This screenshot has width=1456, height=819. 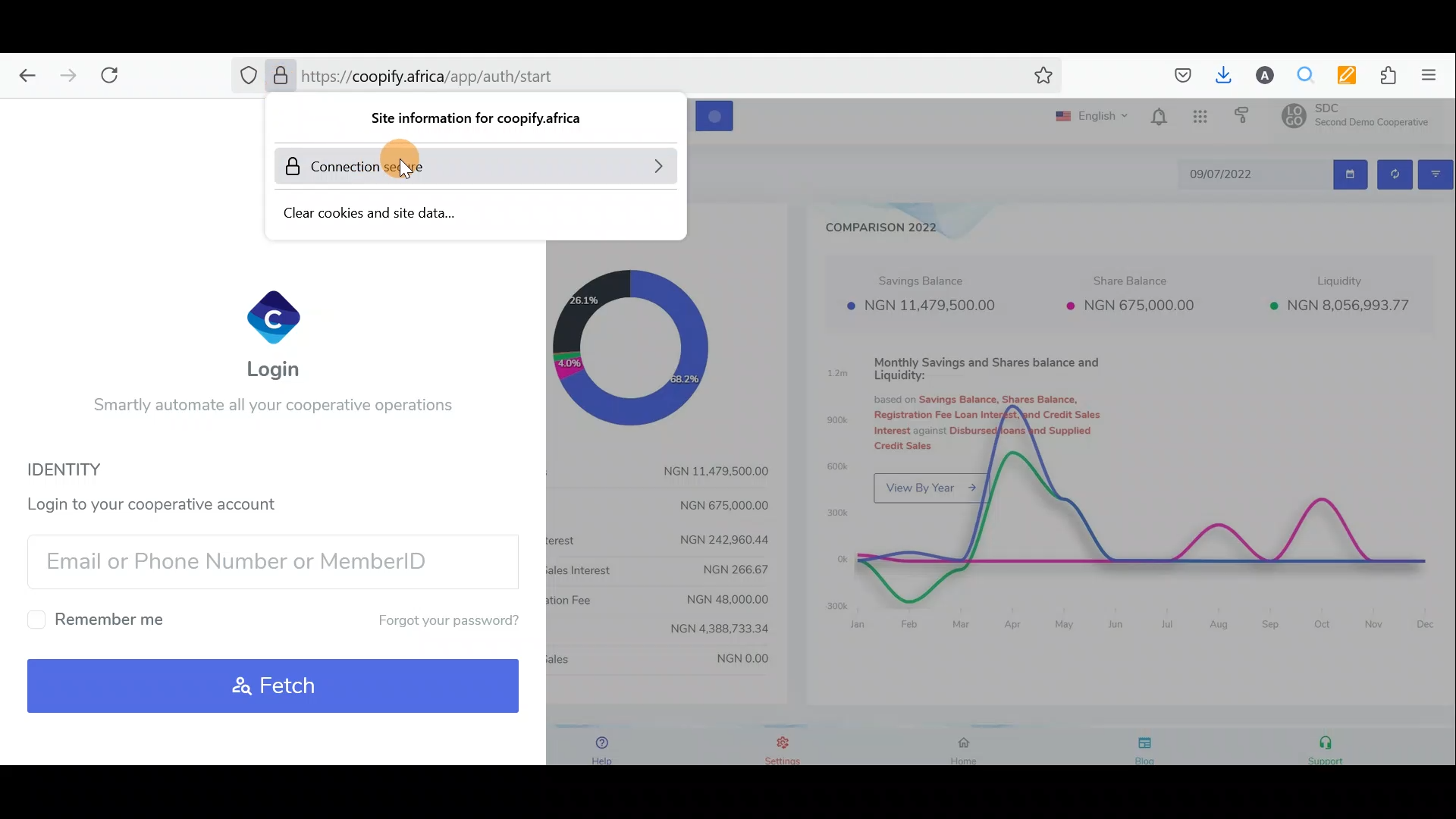 I want to click on Go back one page, so click(x=23, y=76).